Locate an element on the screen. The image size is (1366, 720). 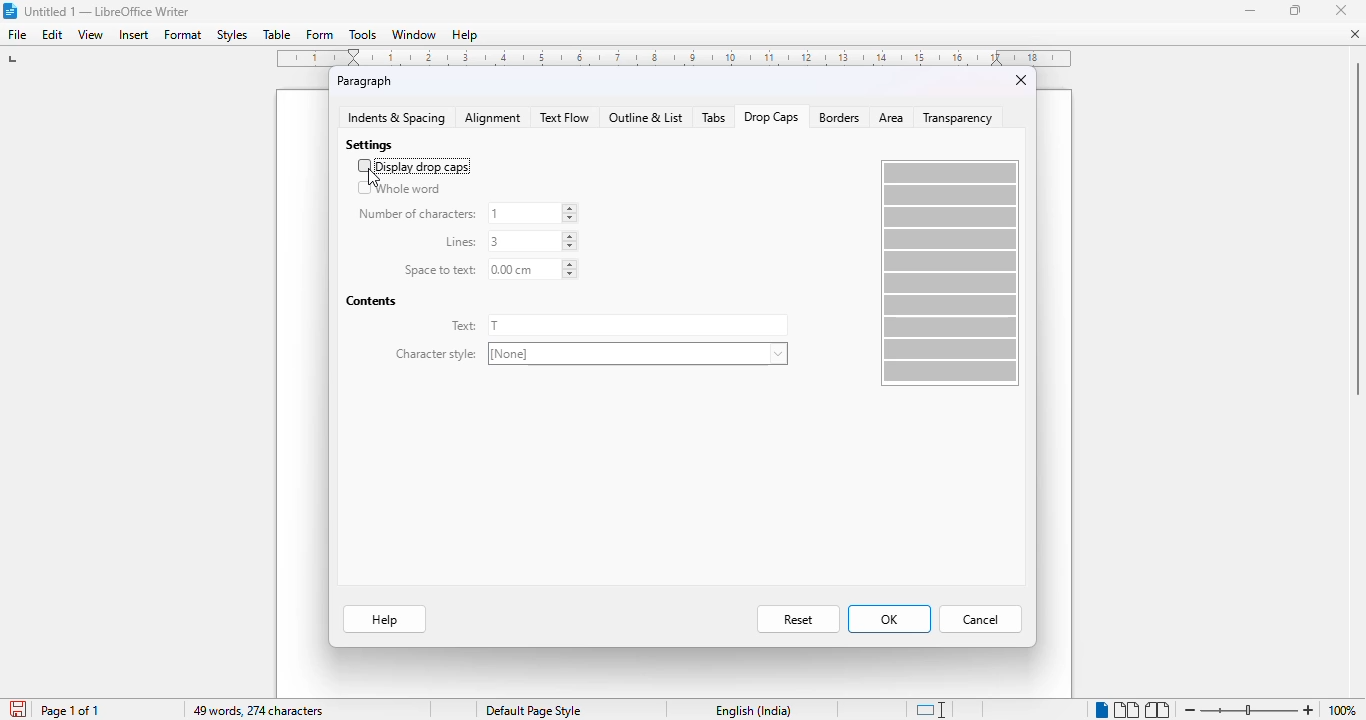
tools is located at coordinates (363, 34).